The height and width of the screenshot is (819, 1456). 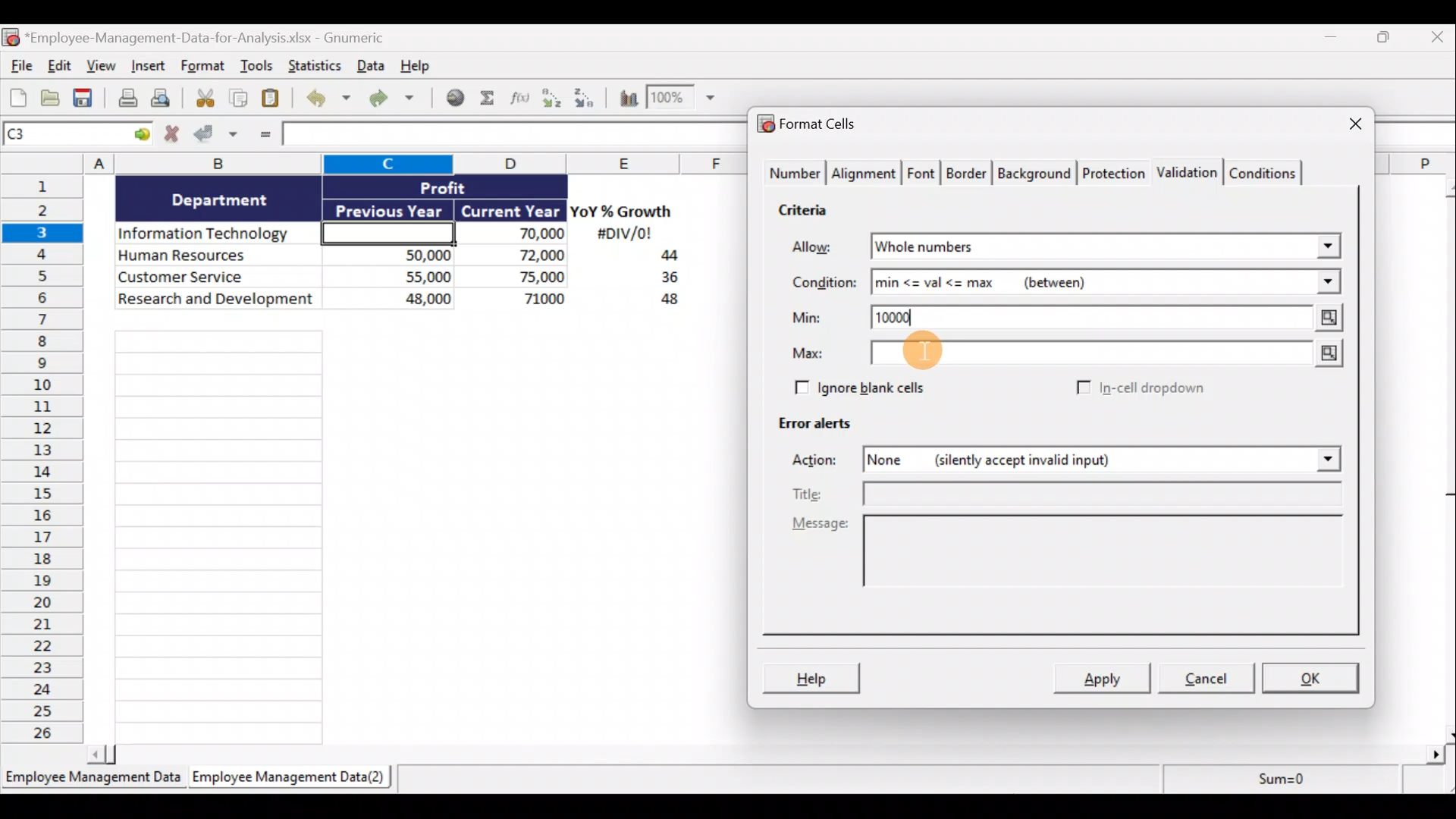 What do you see at coordinates (313, 65) in the screenshot?
I see `Statistics` at bounding box center [313, 65].